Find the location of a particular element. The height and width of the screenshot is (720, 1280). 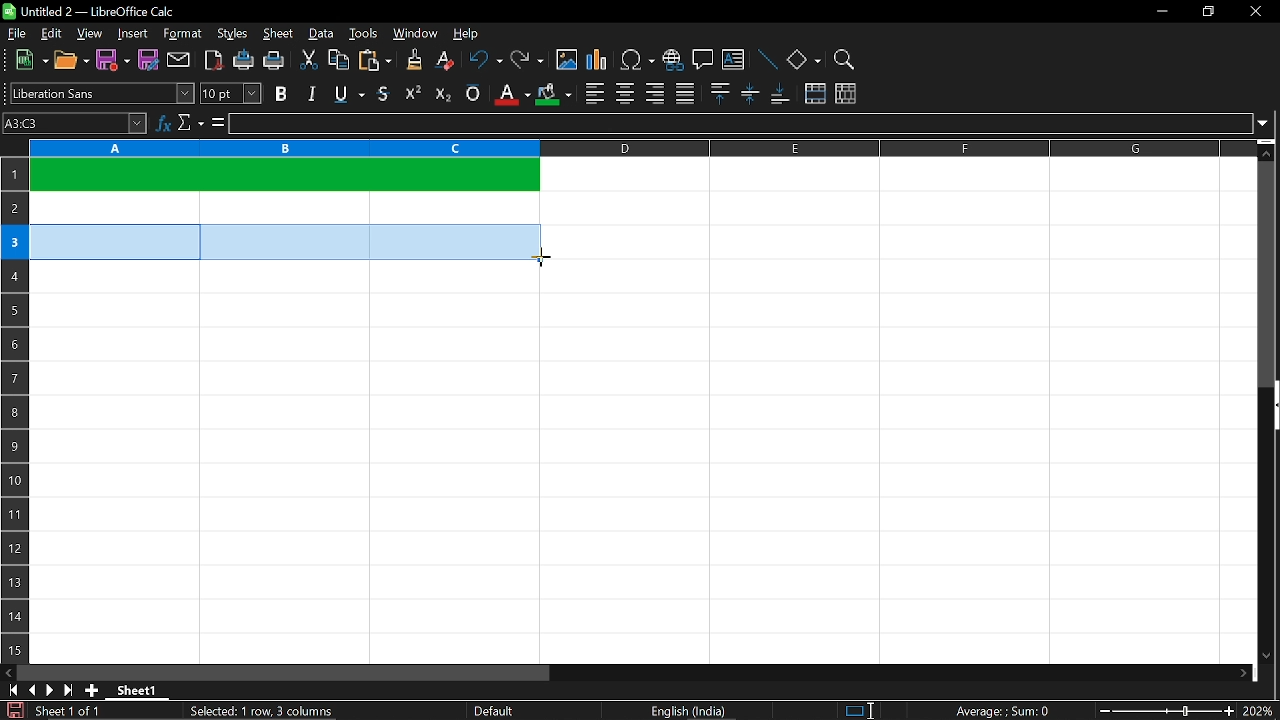

select function is located at coordinates (190, 124).